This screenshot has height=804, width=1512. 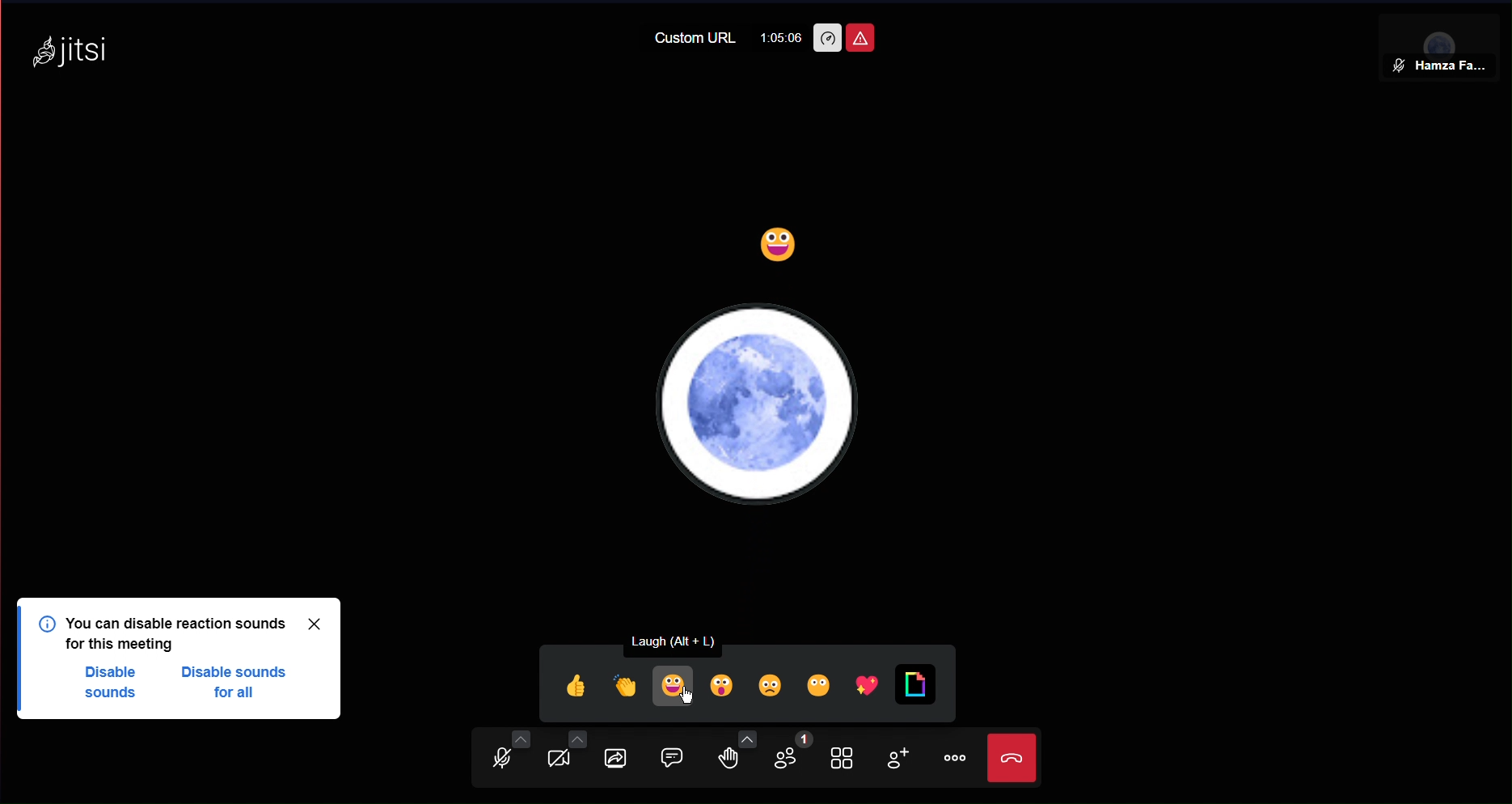 What do you see at coordinates (953, 758) in the screenshot?
I see `More` at bounding box center [953, 758].